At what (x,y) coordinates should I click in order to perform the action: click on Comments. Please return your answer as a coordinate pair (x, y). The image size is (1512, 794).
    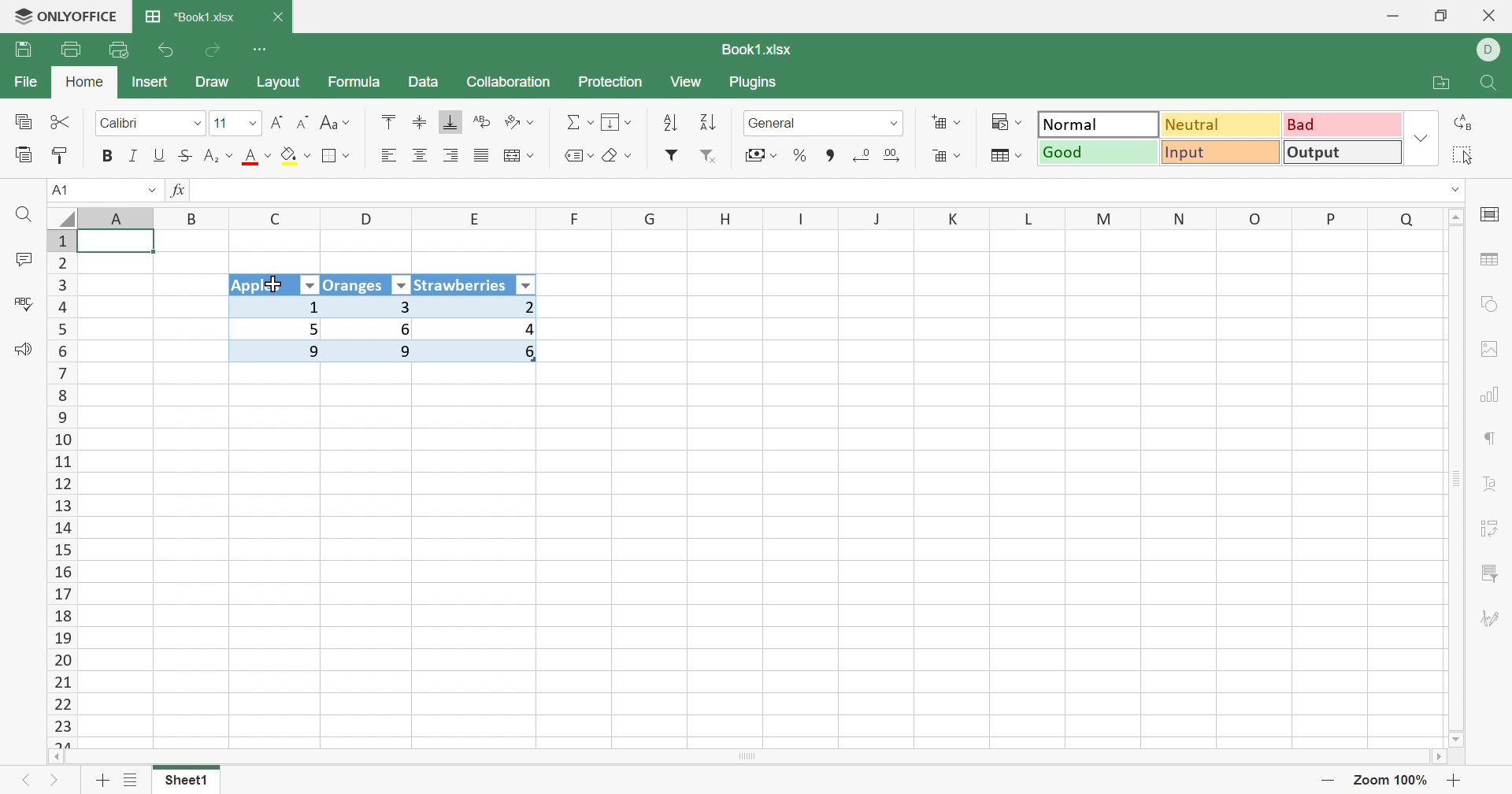
    Looking at the image, I should click on (20, 262).